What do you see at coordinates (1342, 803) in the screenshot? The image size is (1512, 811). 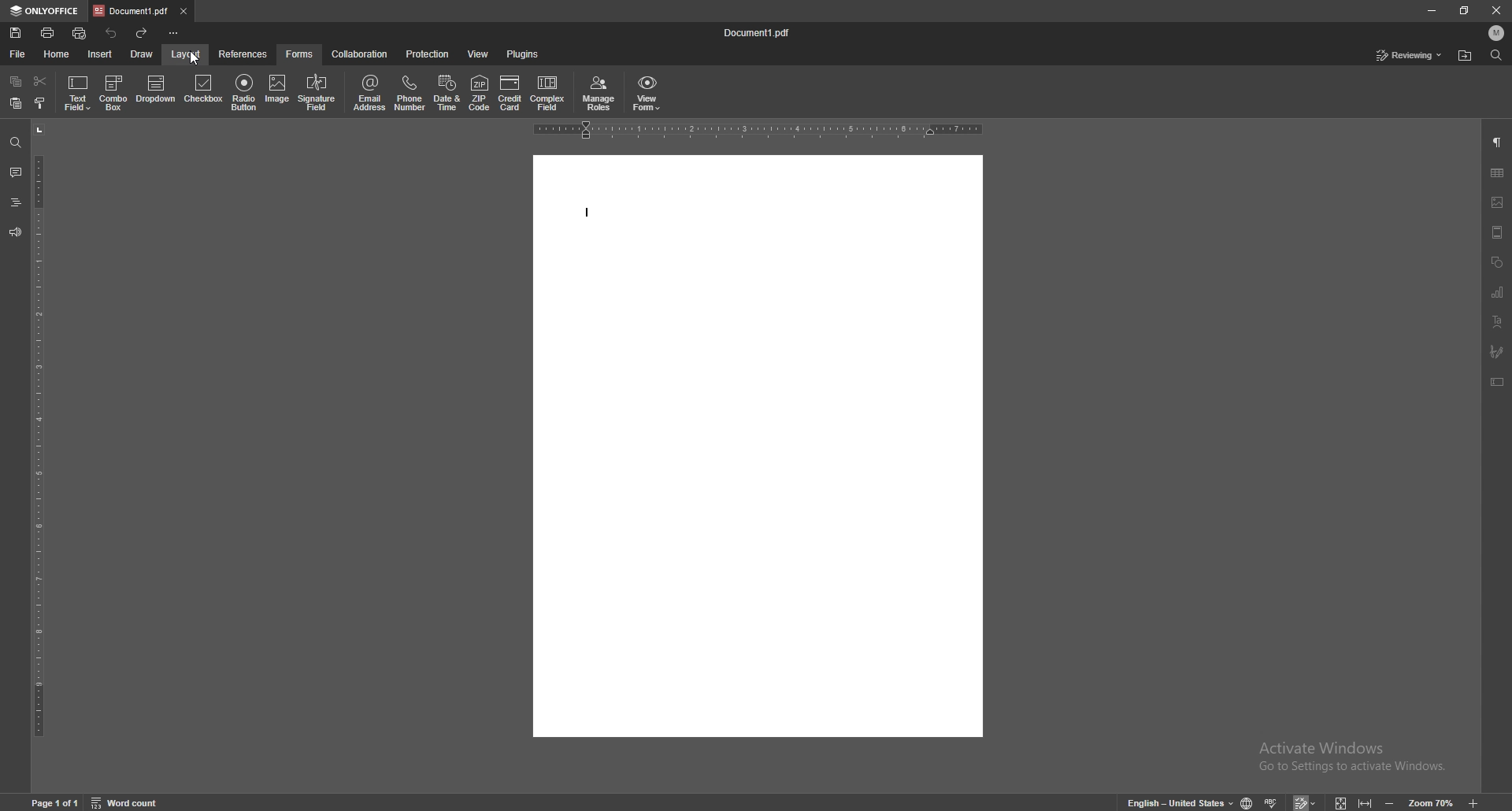 I see `fit to screen` at bounding box center [1342, 803].